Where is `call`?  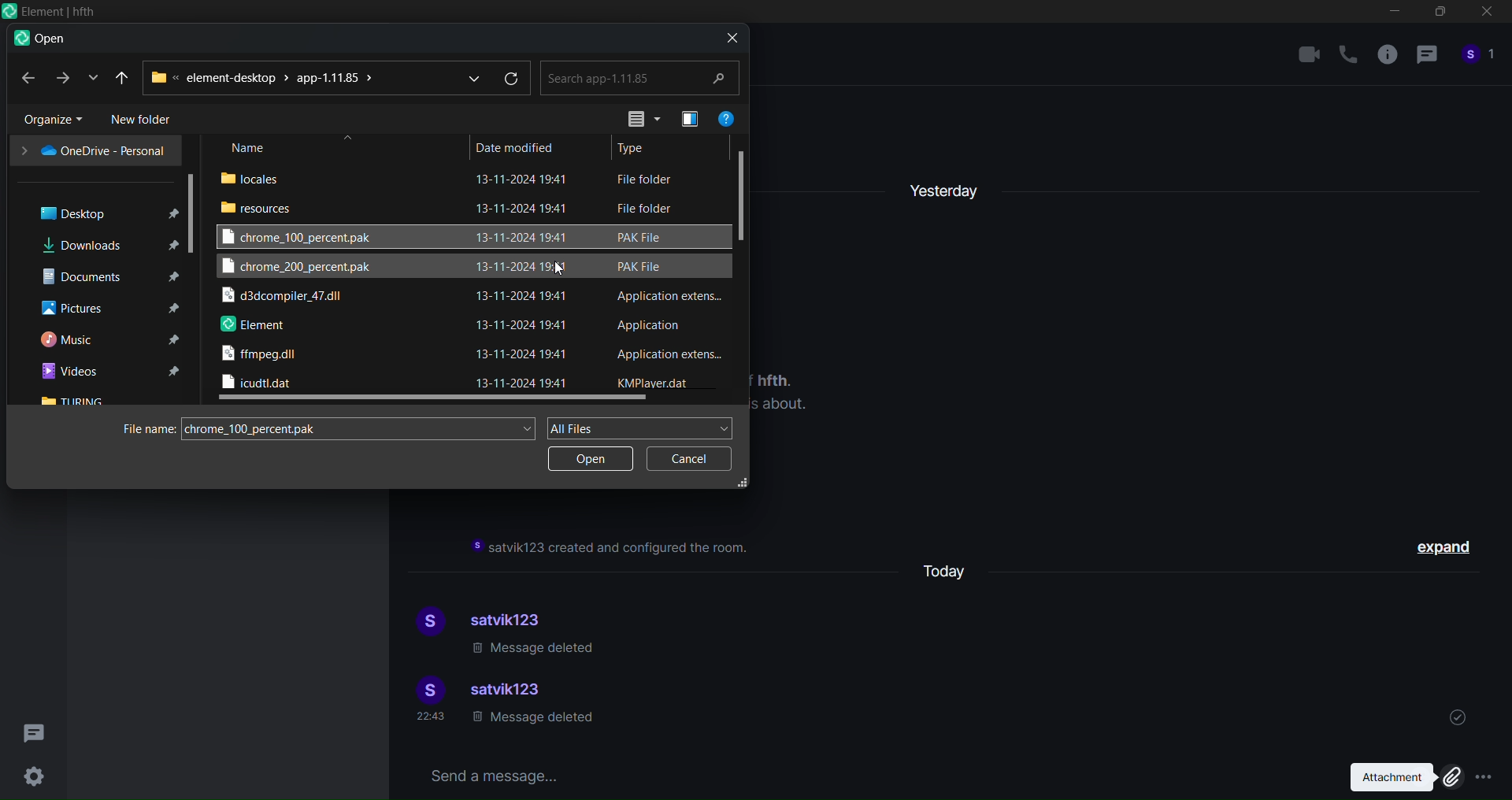
call is located at coordinates (1348, 55).